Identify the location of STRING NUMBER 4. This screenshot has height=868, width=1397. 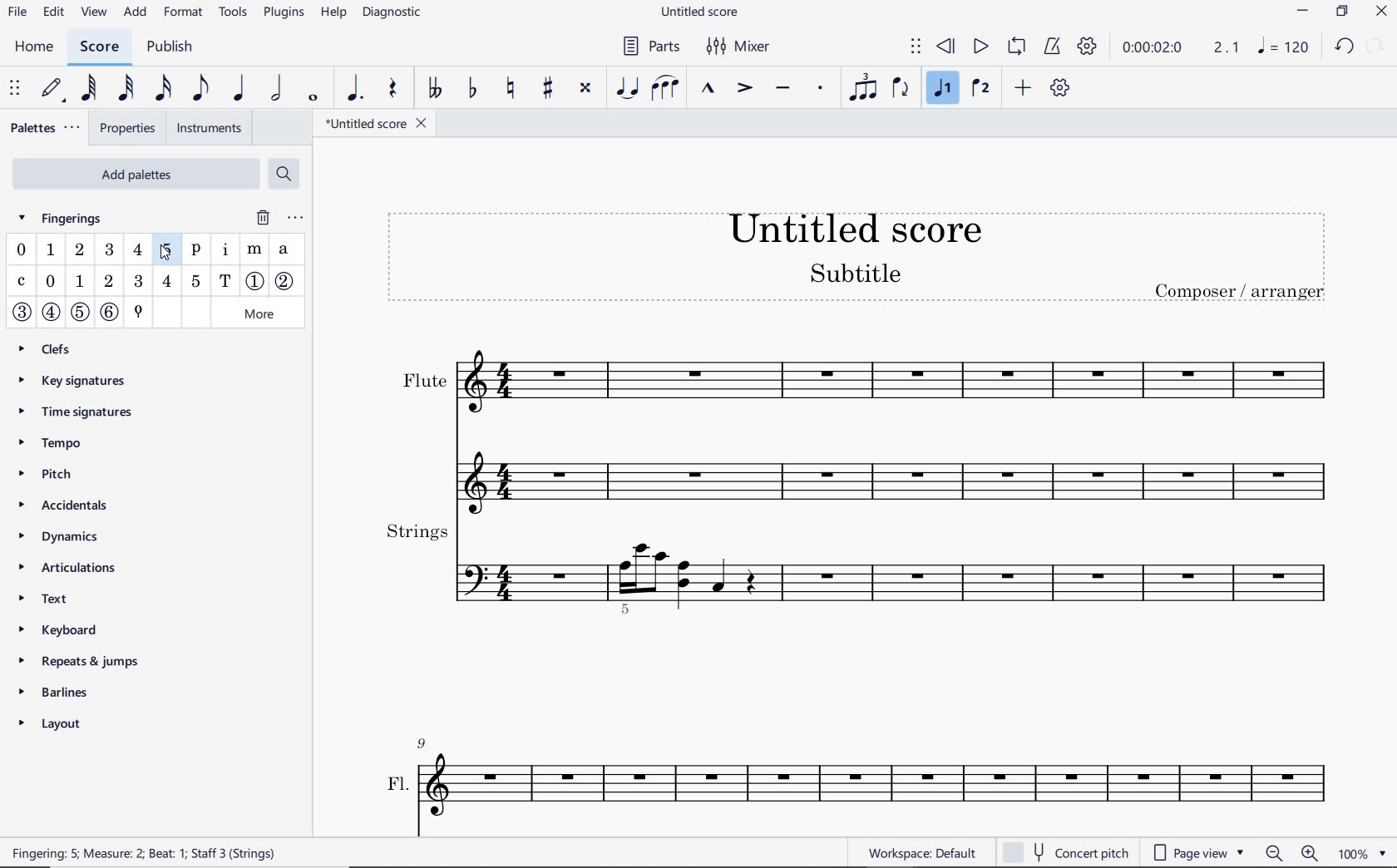
(51, 314).